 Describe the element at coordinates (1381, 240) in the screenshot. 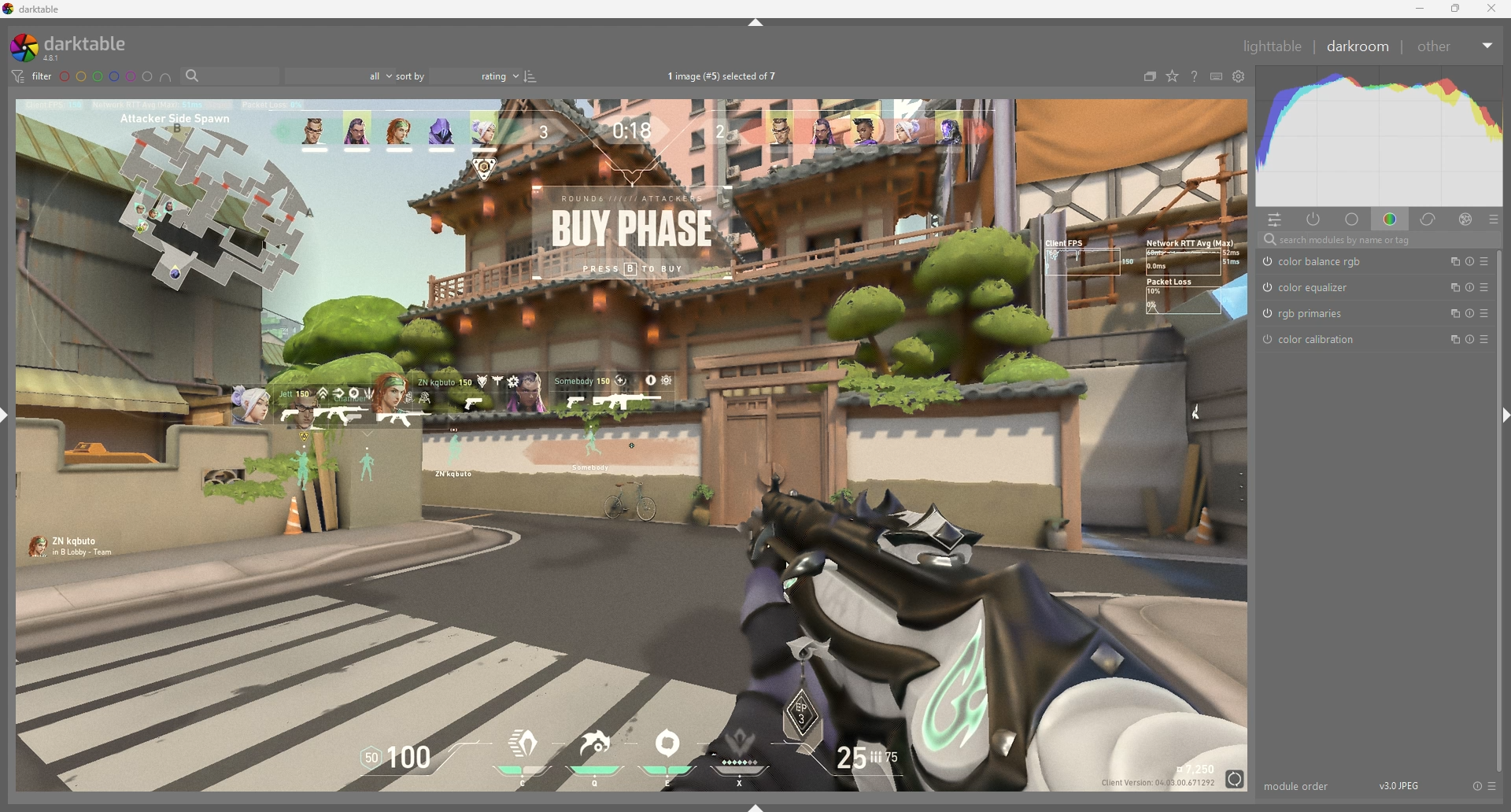

I see `search modules` at that location.